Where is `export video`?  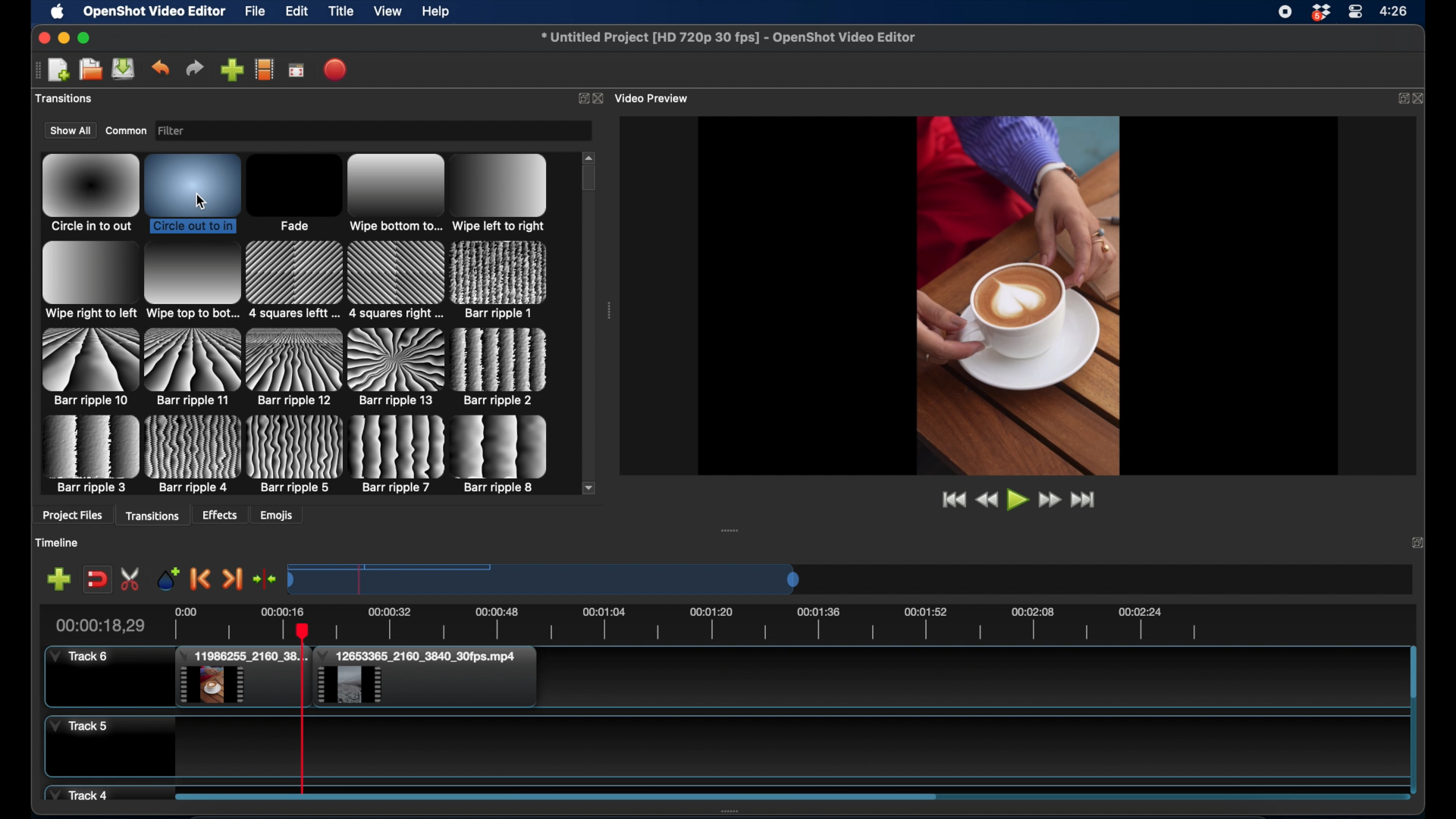
export video is located at coordinates (336, 69).